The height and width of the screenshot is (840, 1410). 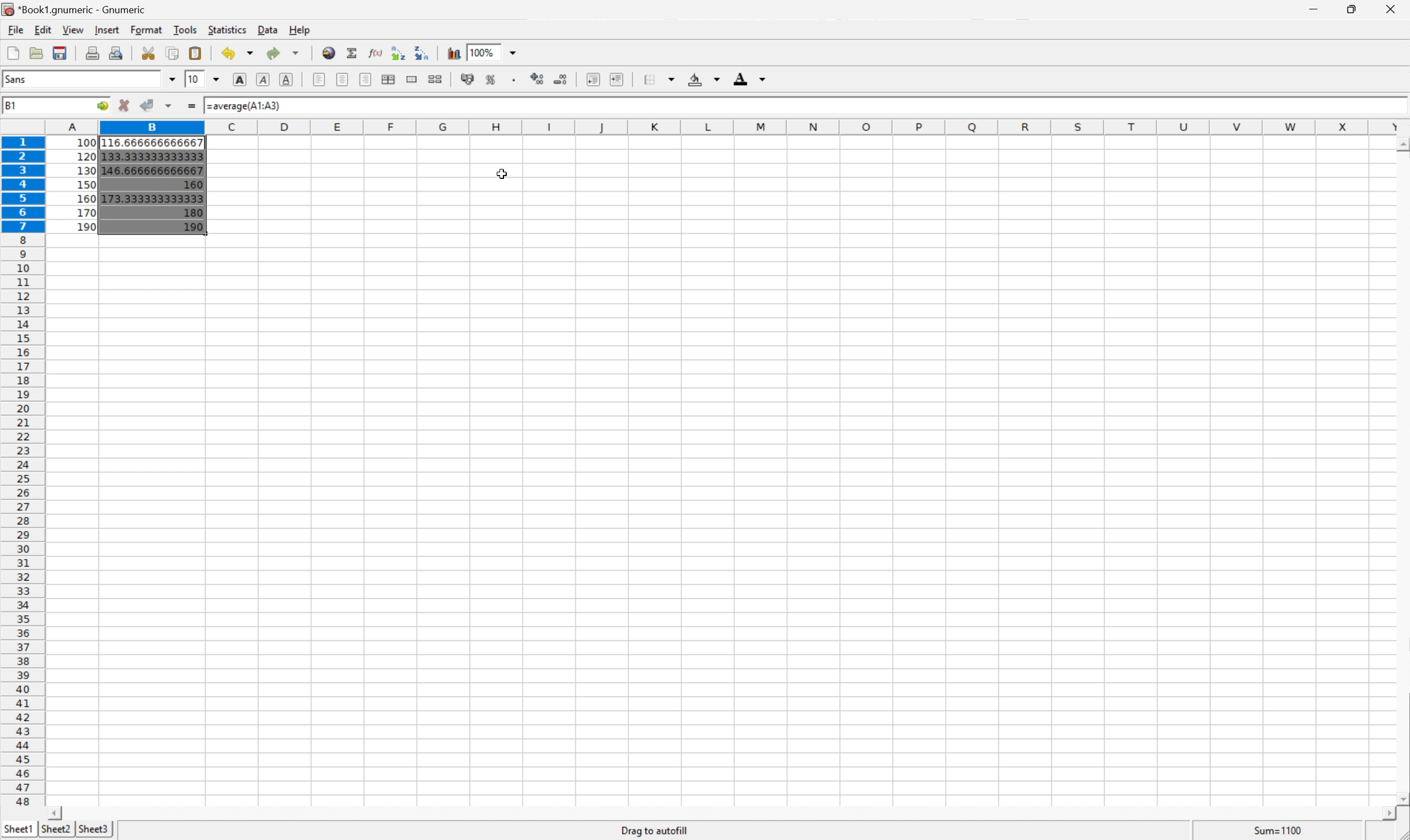 What do you see at coordinates (73, 29) in the screenshot?
I see `View` at bounding box center [73, 29].